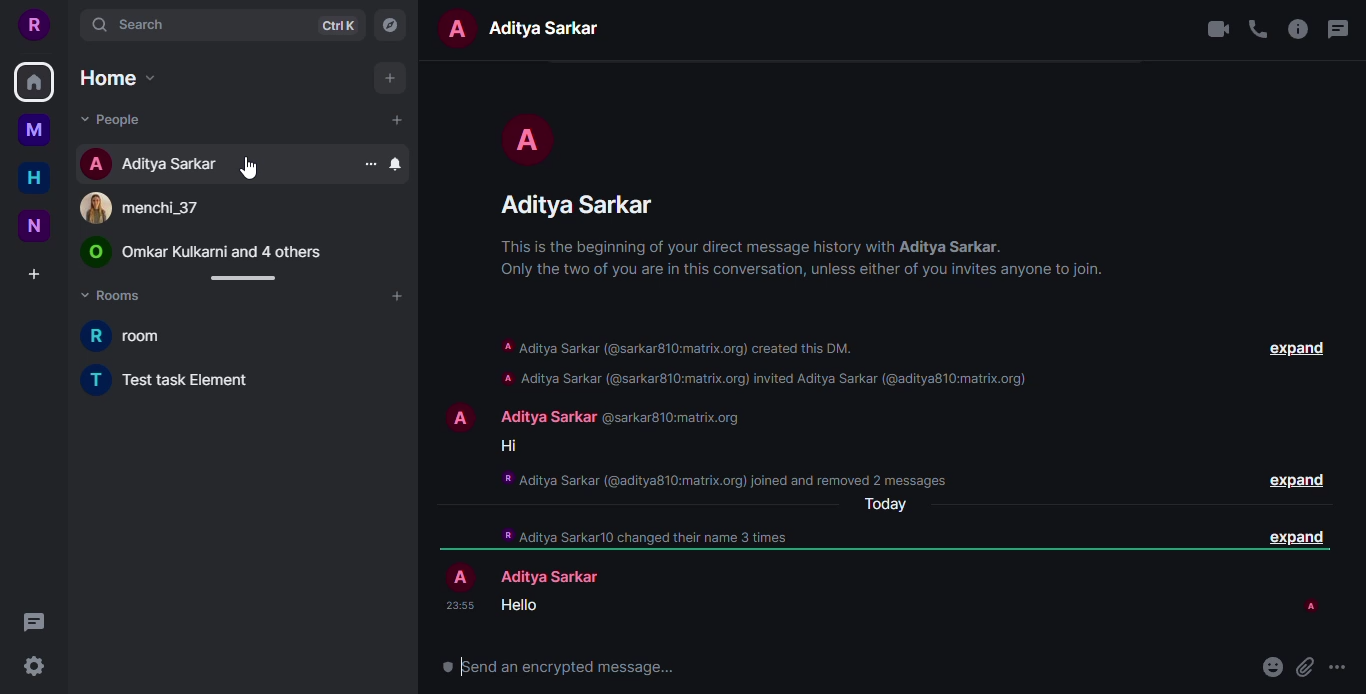 Image resolution: width=1366 pixels, height=694 pixels. Describe the element at coordinates (32, 177) in the screenshot. I see `home` at that location.